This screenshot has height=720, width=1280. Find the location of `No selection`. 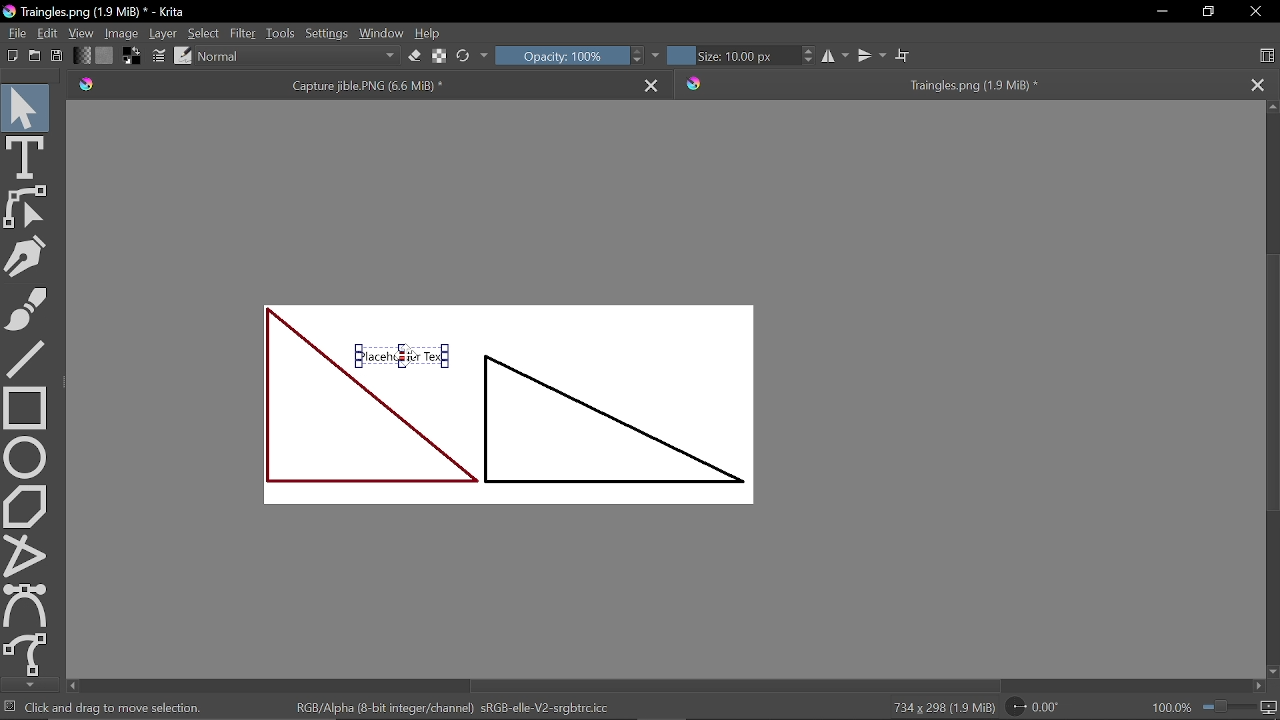

No selection is located at coordinates (10, 706).